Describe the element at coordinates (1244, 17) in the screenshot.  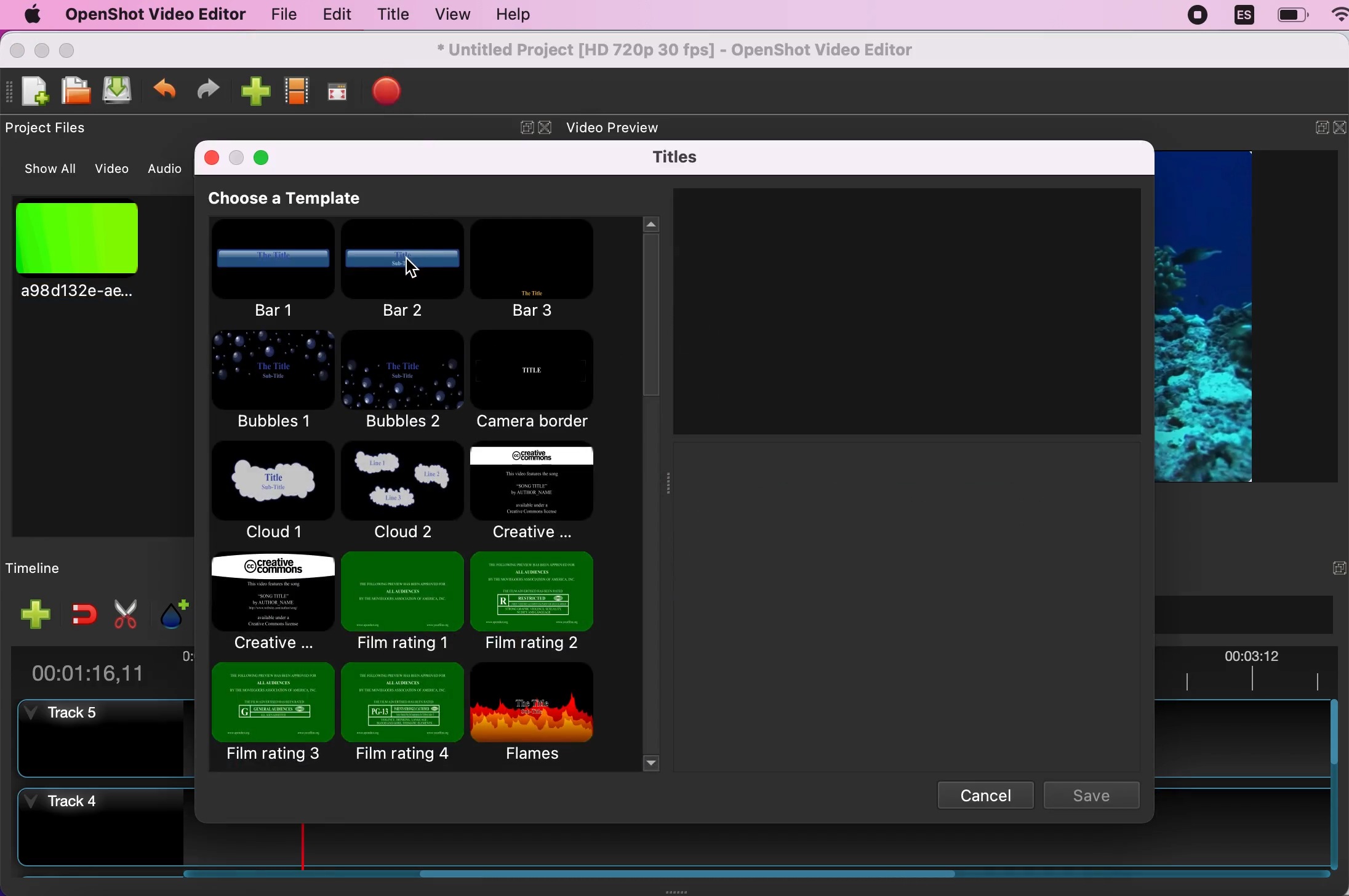
I see `language` at that location.